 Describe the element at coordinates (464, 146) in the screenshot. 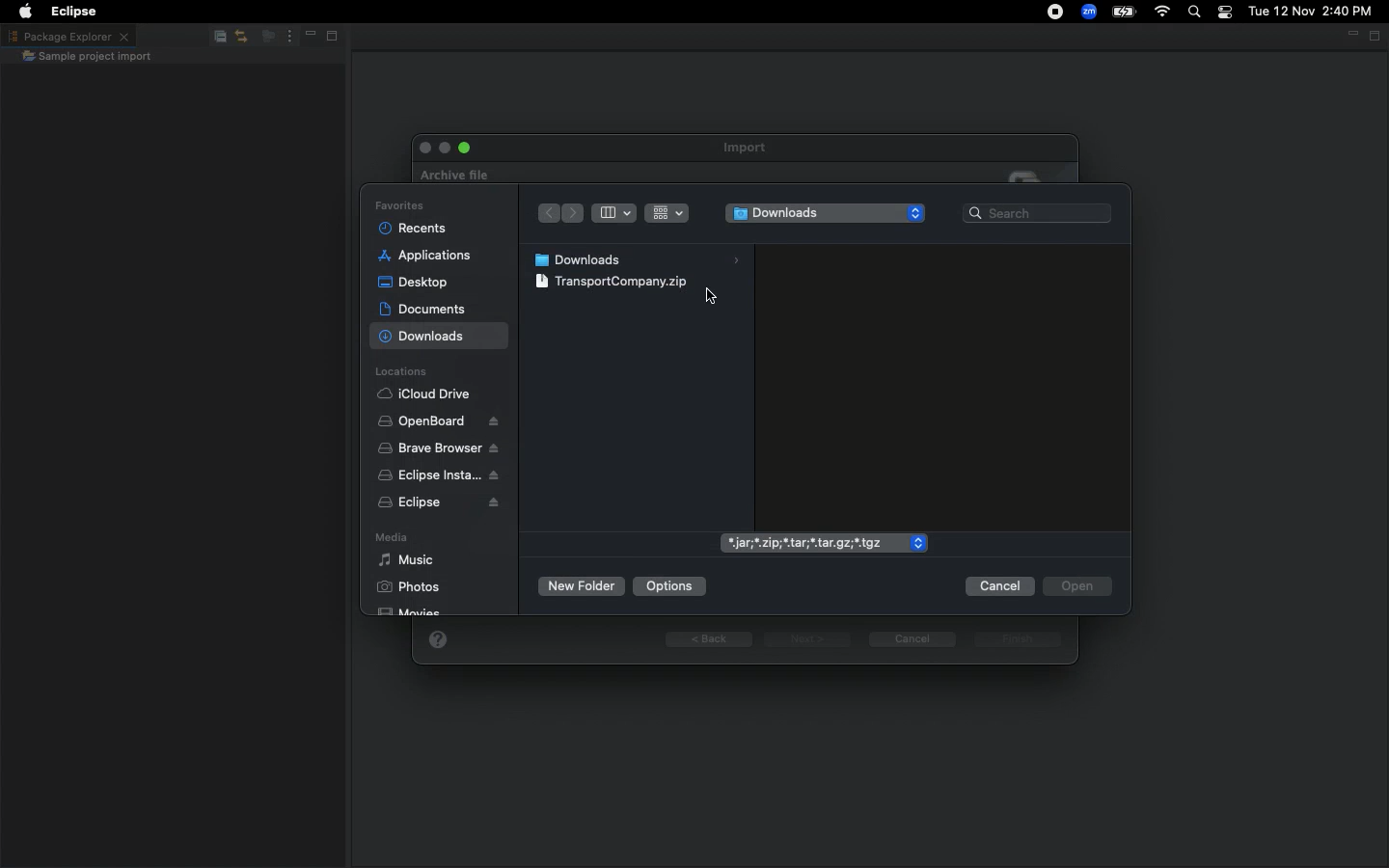

I see `maximize` at that location.